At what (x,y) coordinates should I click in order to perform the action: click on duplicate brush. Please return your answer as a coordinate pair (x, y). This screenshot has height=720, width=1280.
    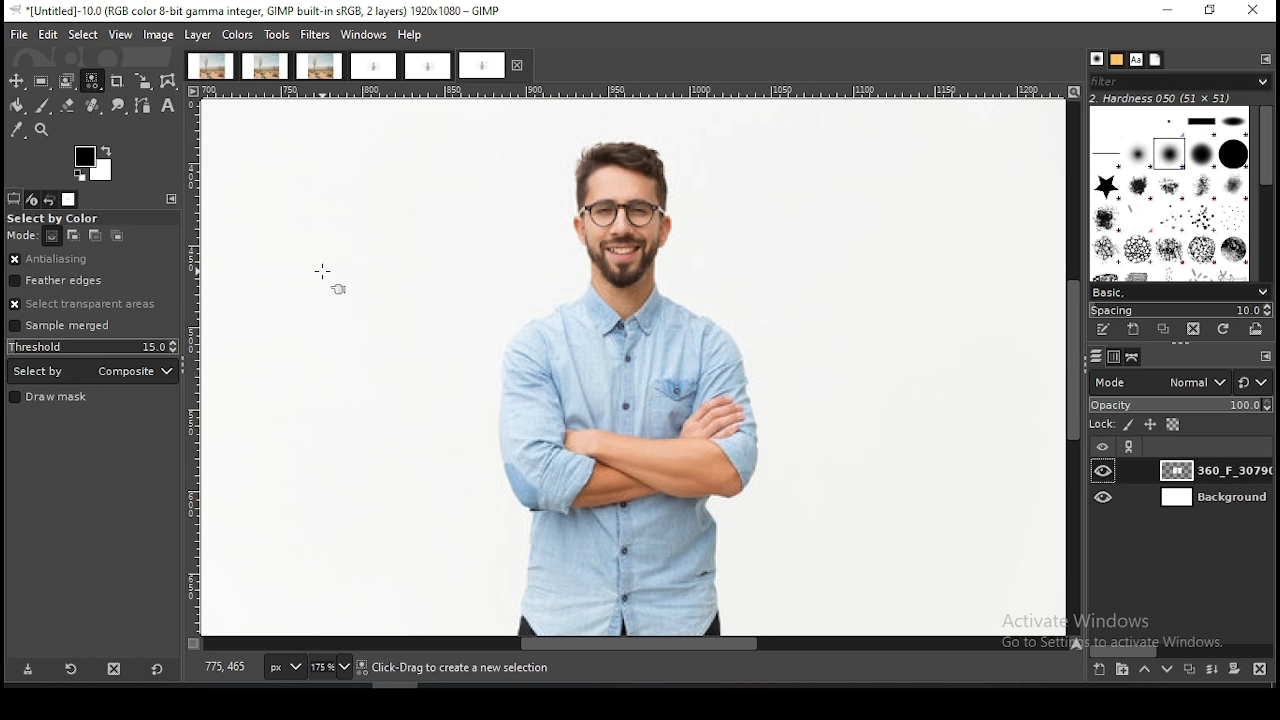
    Looking at the image, I should click on (1165, 331).